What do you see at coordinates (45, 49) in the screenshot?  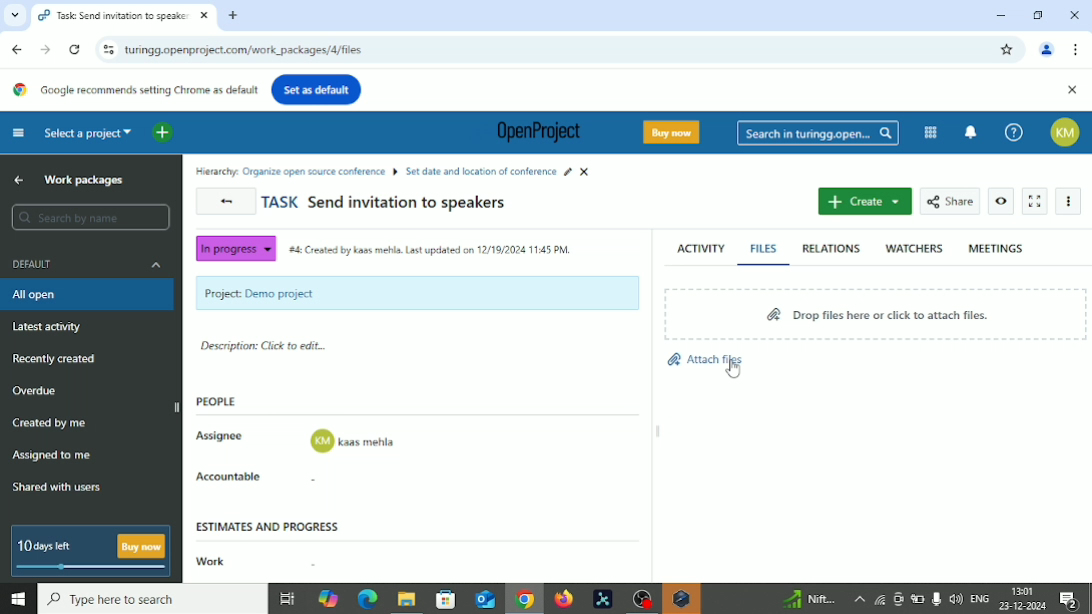 I see `Forward` at bounding box center [45, 49].